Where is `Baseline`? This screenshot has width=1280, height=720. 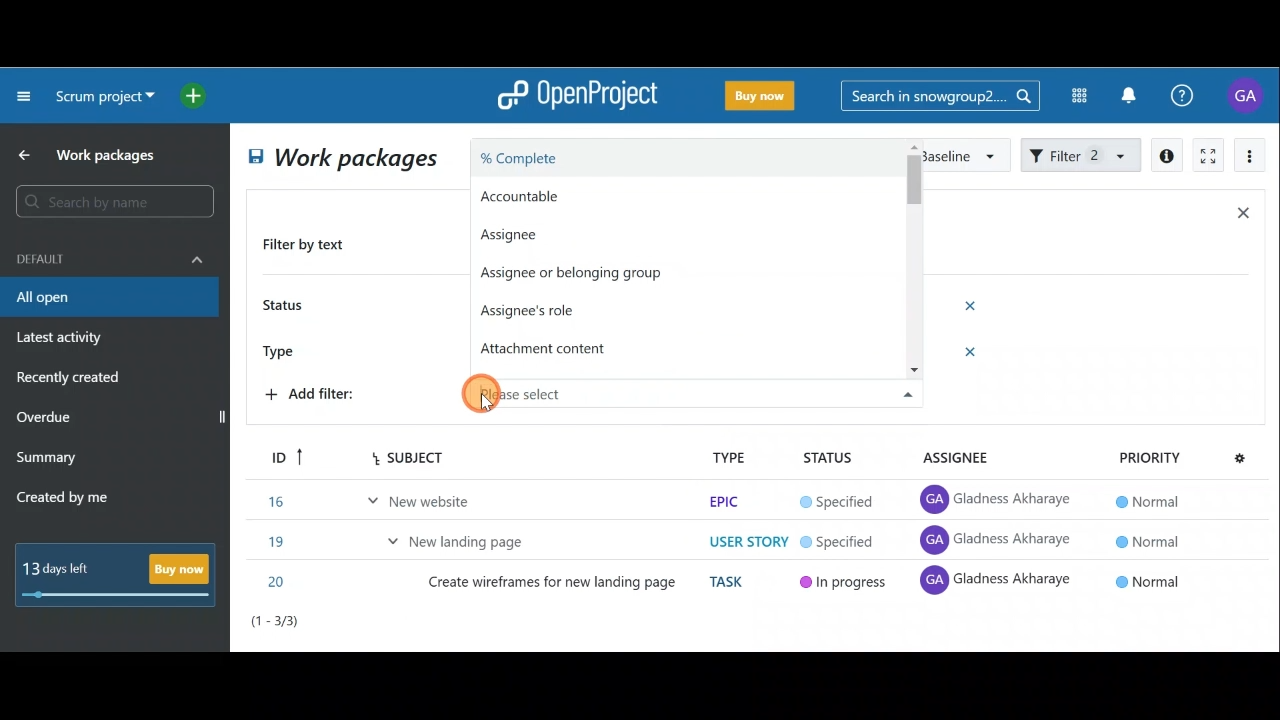
Baseline is located at coordinates (964, 154).